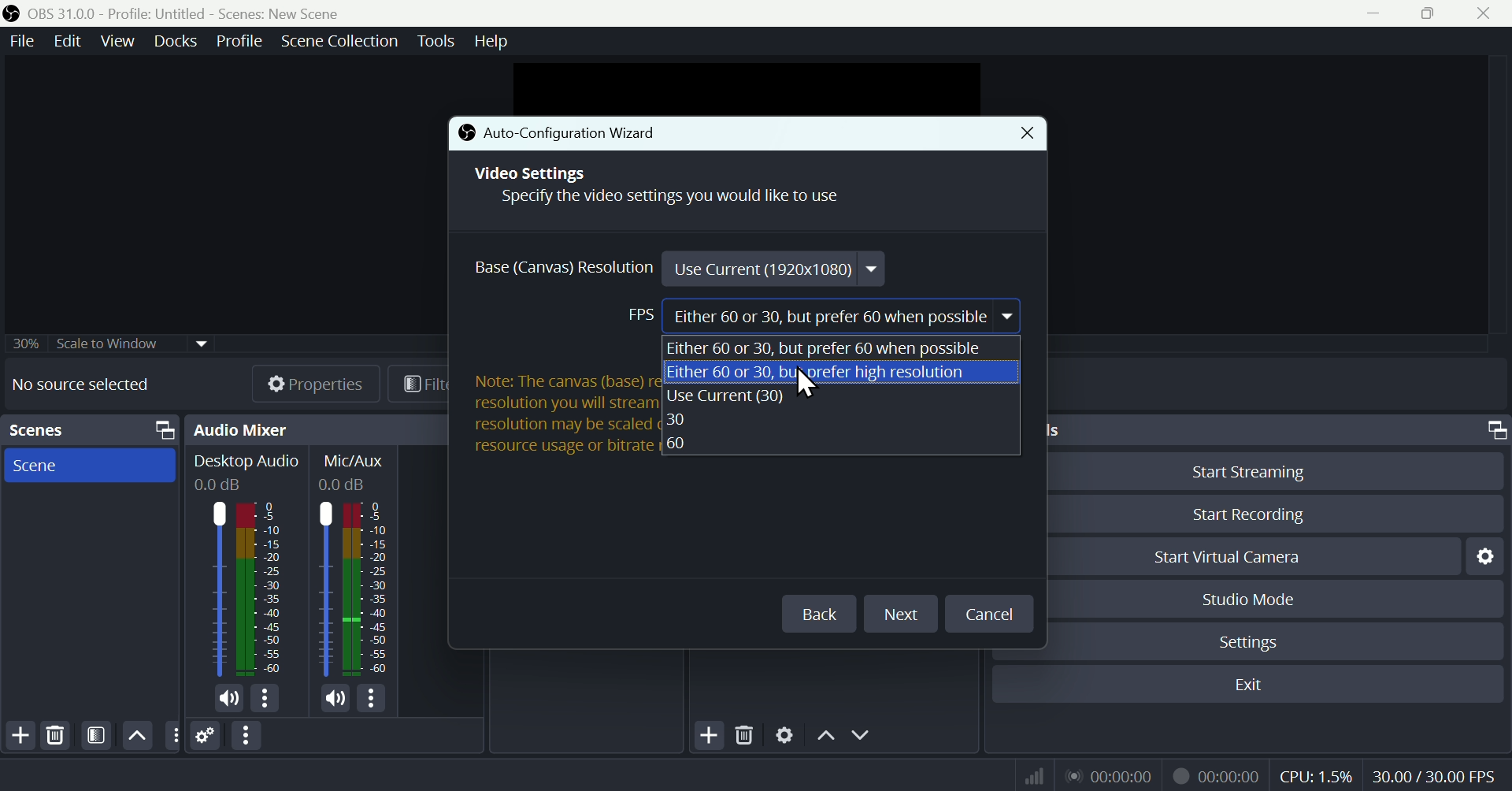 The width and height of the screenshot is (1512, 791). Describe the element at coordinates (19, 736) in the screenshot. I see `Add` at that location.